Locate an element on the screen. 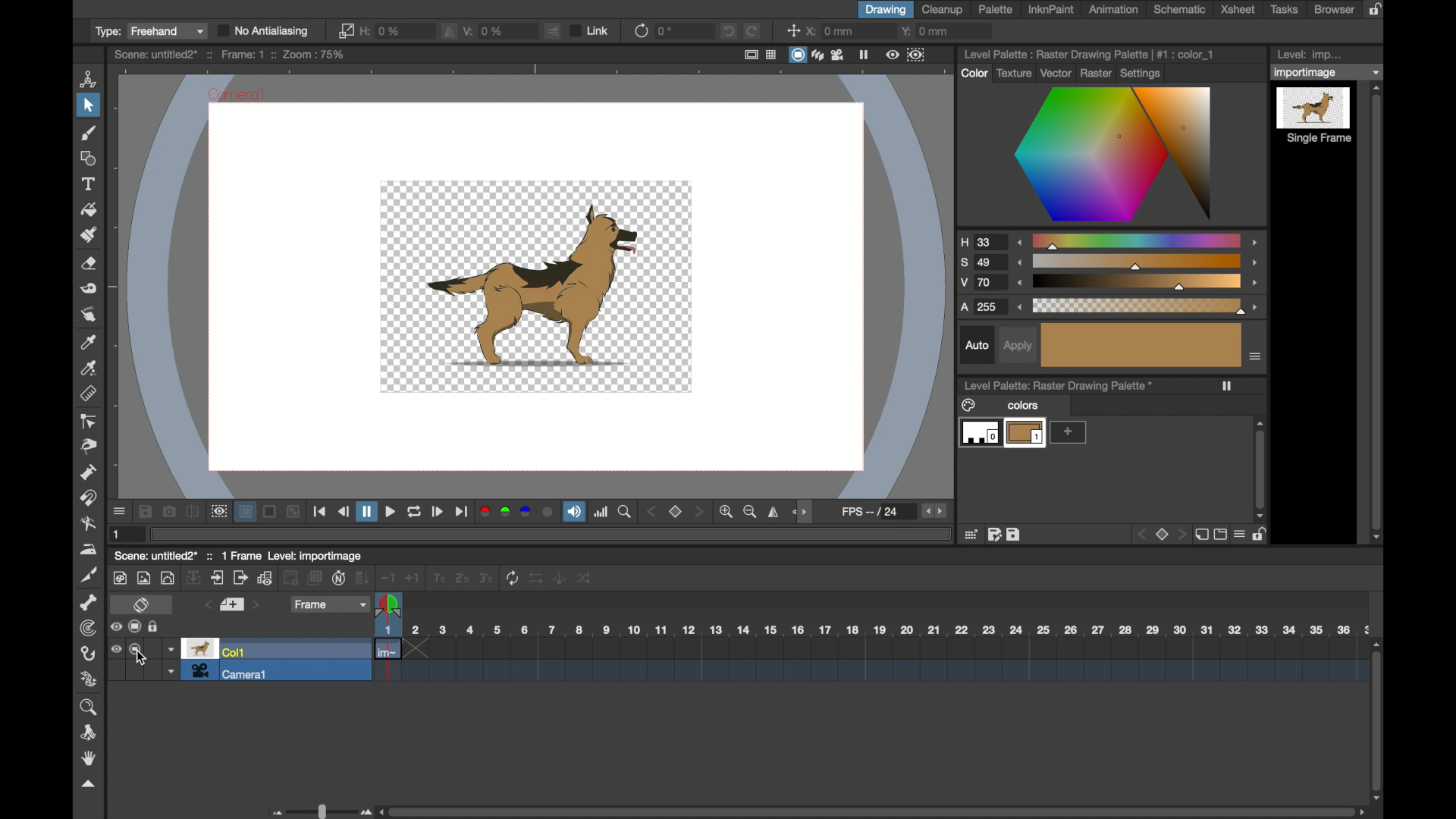 The width and height of the screenshot is (1456, 819). tracker tool is located at coordinates (88, 629).